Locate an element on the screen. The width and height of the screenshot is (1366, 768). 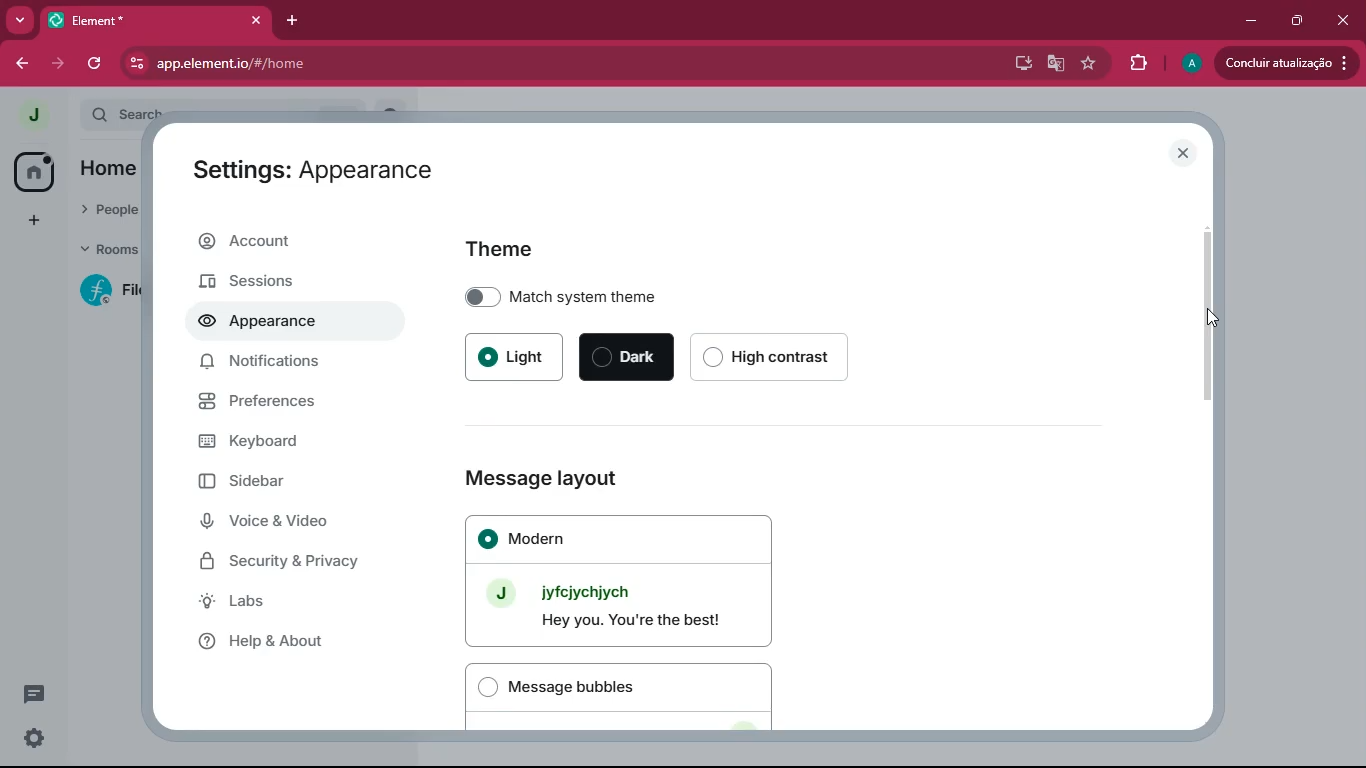
dark is located at coordinates (627, 359).